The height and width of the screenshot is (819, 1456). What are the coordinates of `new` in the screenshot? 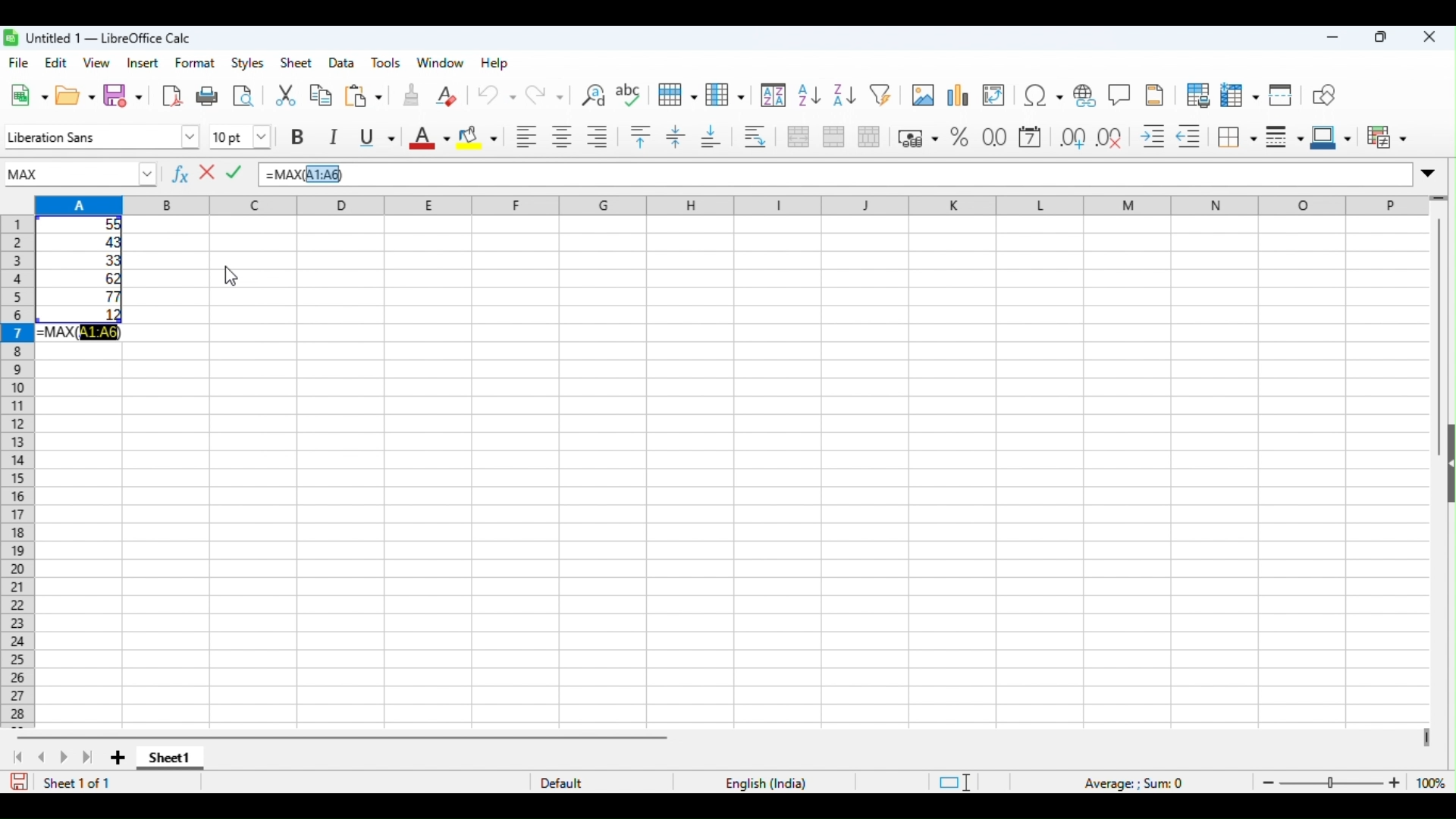 It's located at (29, 96).